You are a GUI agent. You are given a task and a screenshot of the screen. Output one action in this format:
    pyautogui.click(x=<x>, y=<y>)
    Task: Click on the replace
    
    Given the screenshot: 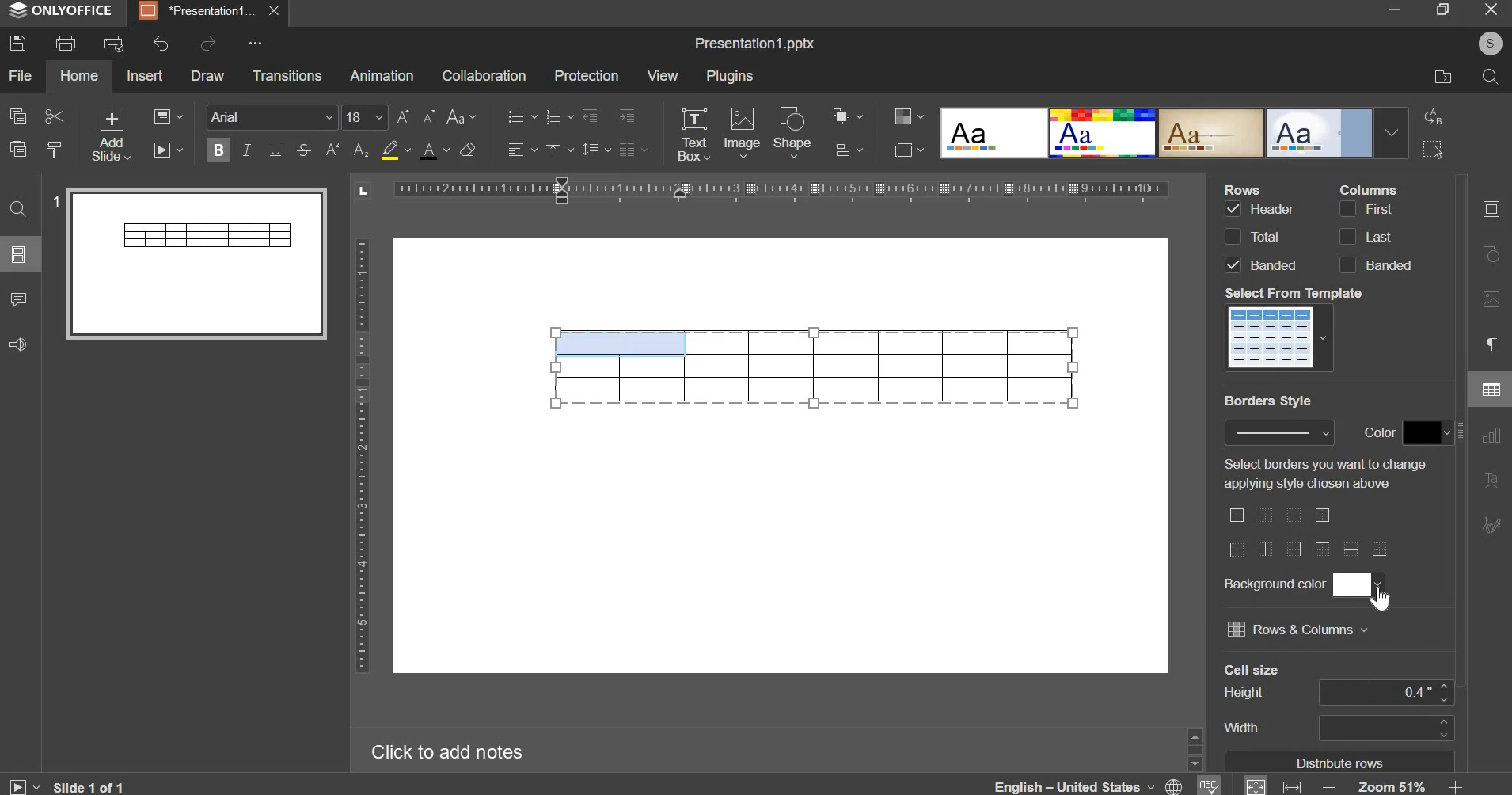 What is the action you would take?
    pyautogui.click(x=1430, y=116)
    